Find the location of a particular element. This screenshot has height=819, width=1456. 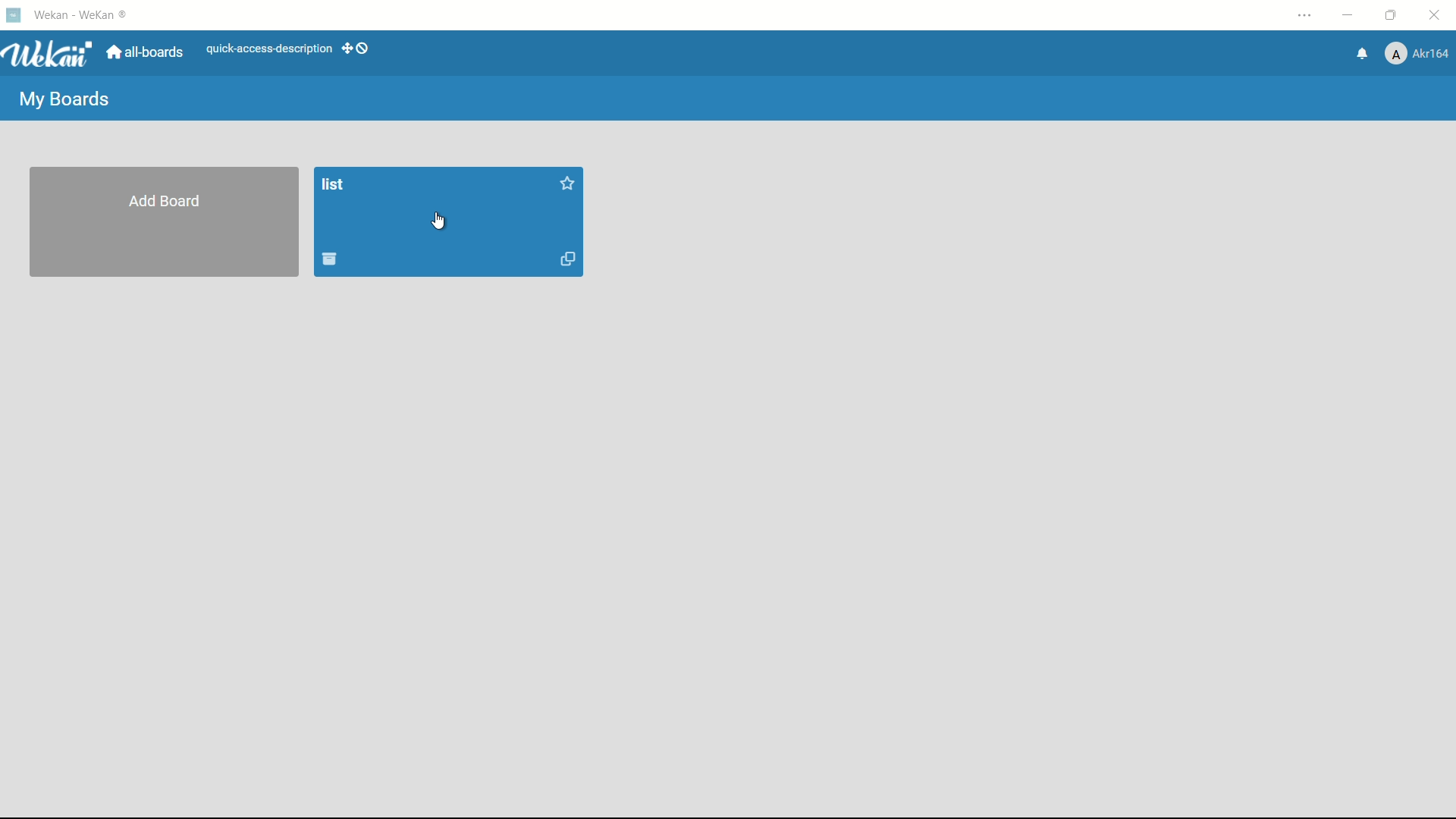

quick-access-description is located at coordinates (269, 49).